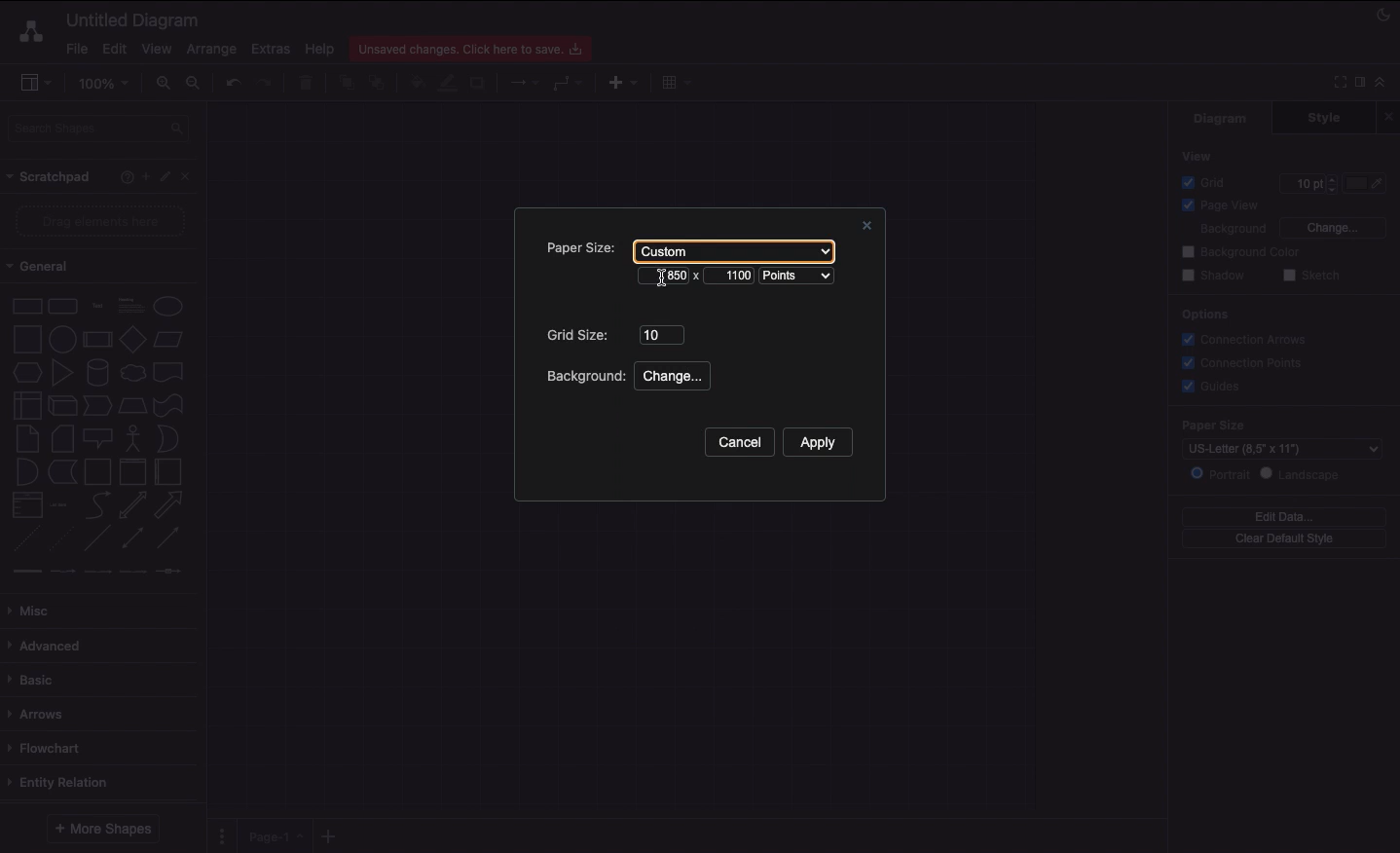 This screenshot has width=1400, height=853. Describe the element at coordinates (1213, 275) in the screenshot. I see `Shadow` at that location.